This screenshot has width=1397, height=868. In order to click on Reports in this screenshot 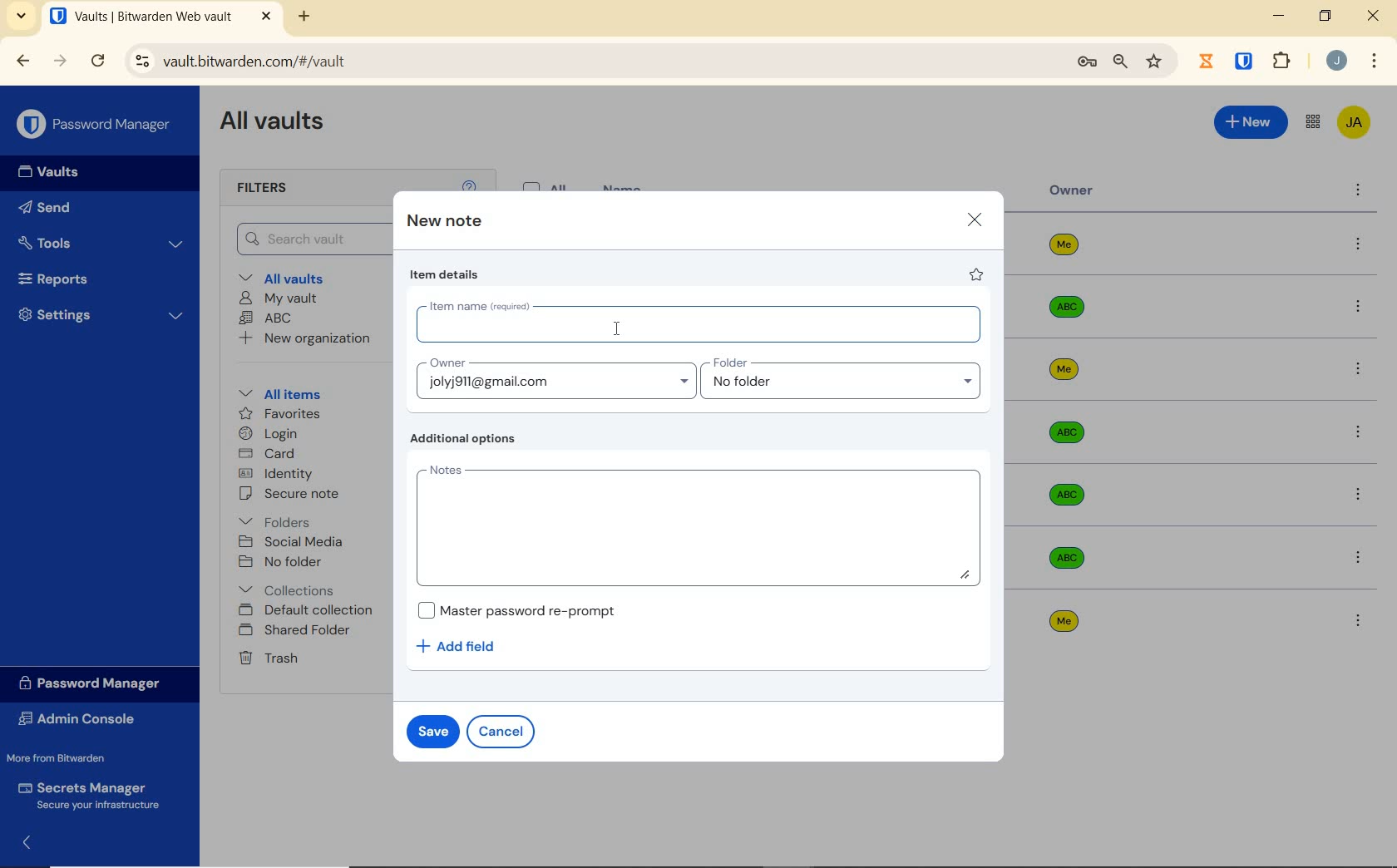, I will do `click(95, 280)`.